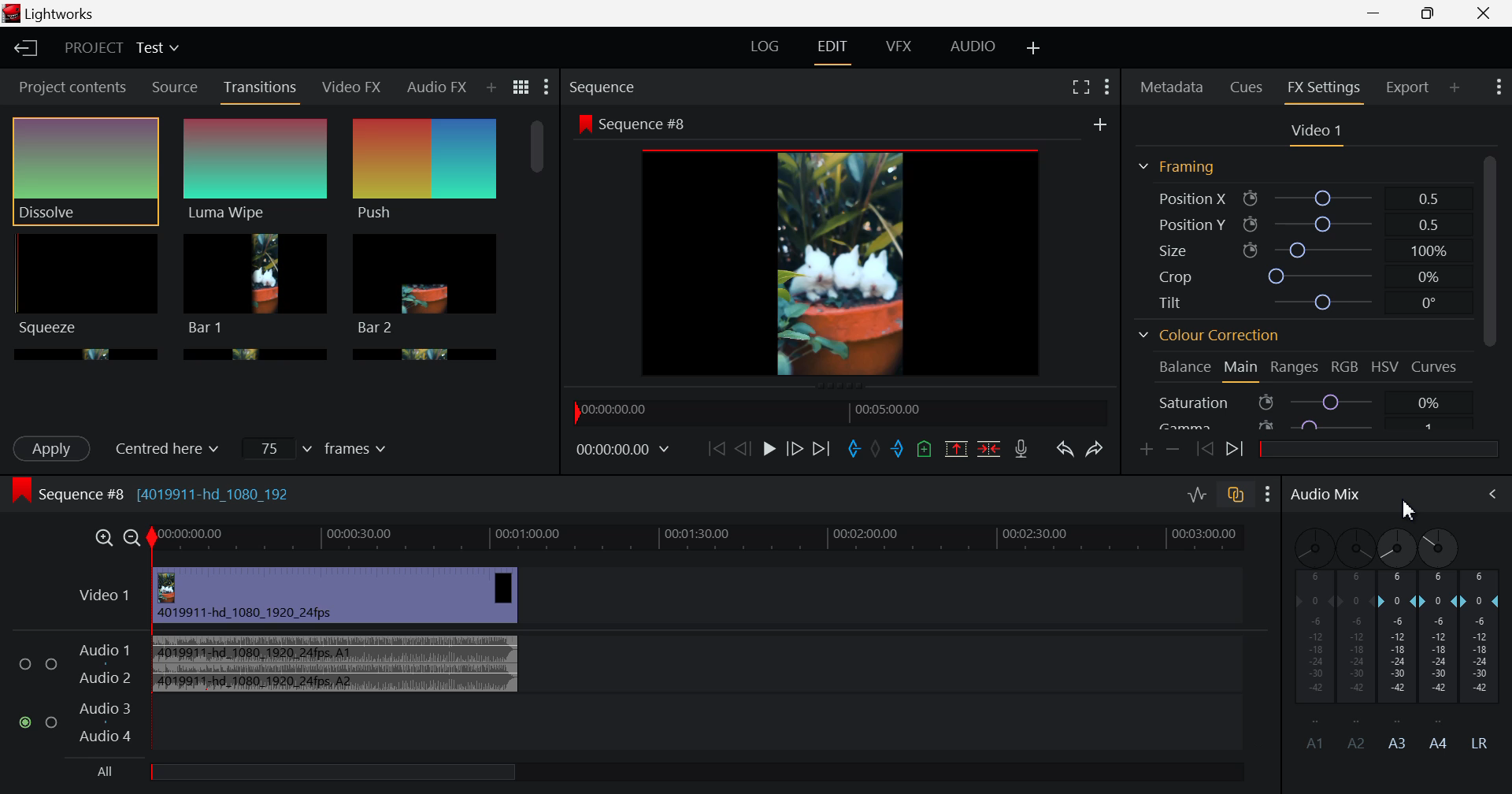  Describe the element at coordinates (1455, 87) in the screenshot. I see `Add Panel` at that location.